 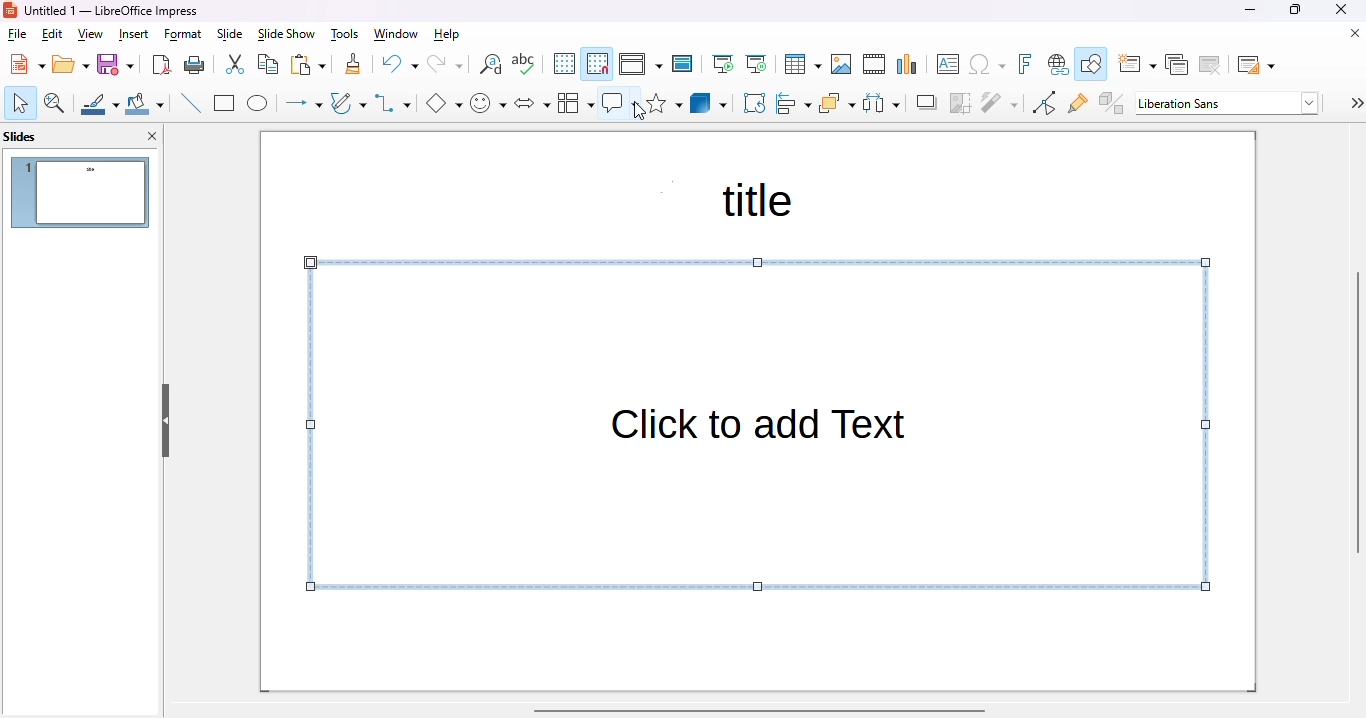 I want to click on slide, so click(x=231, y=35).